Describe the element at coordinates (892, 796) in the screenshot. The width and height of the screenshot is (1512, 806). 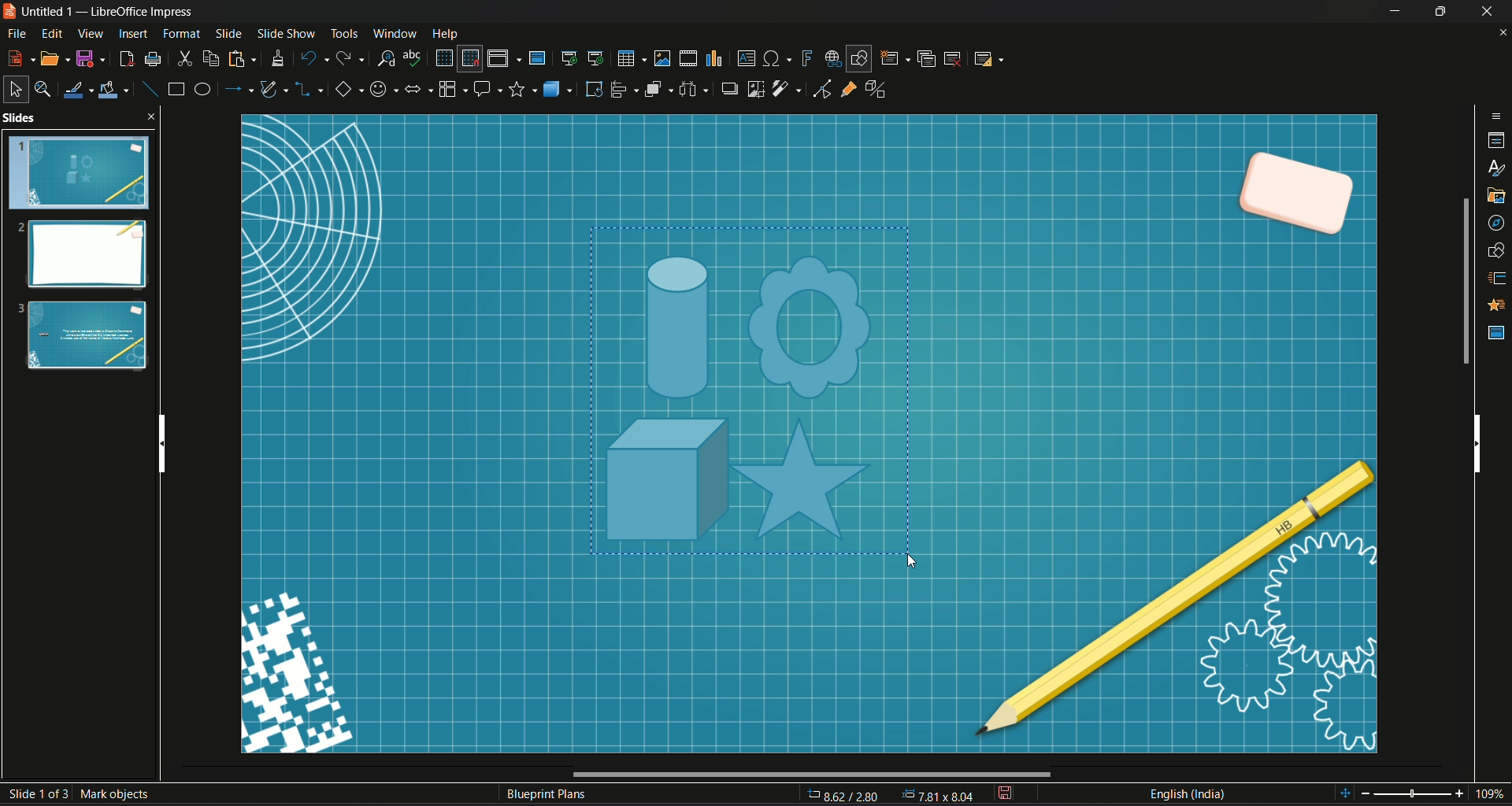
I see `Page Dimensions` at that location.